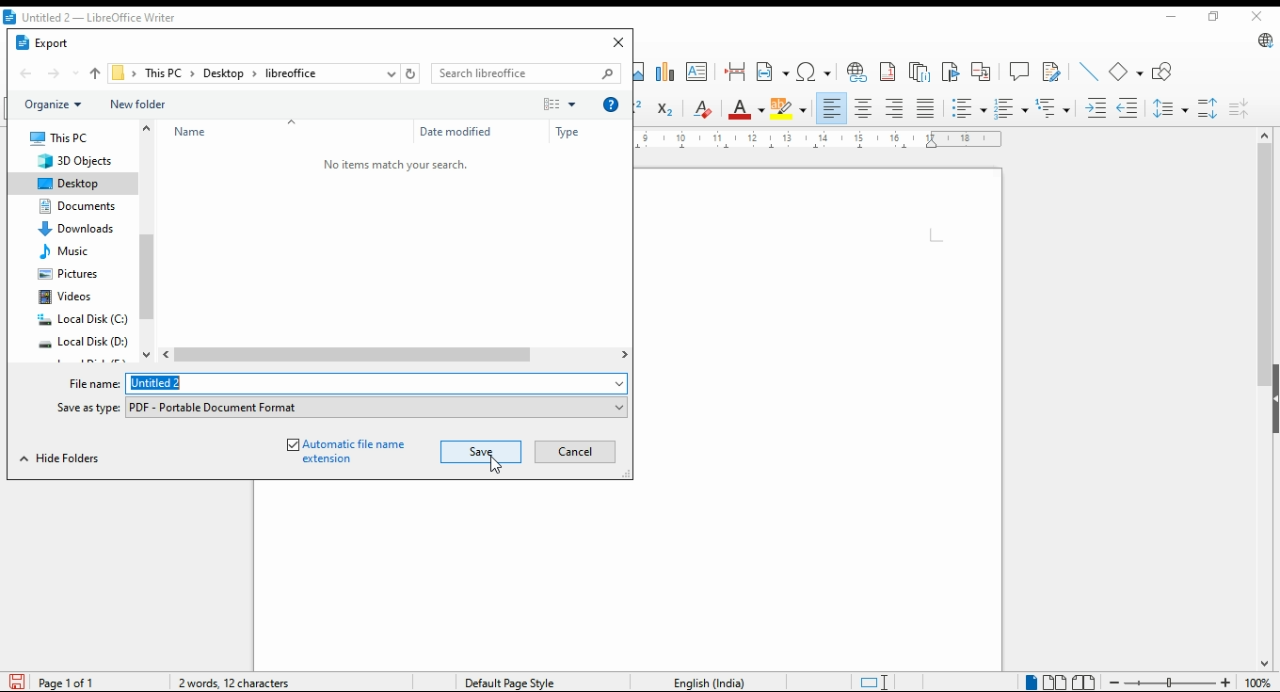 The height and width of the screenshot is (692, 1280). Describe the element at coordinates (413, 74) in the screenshot. I see `refresh` at that location.